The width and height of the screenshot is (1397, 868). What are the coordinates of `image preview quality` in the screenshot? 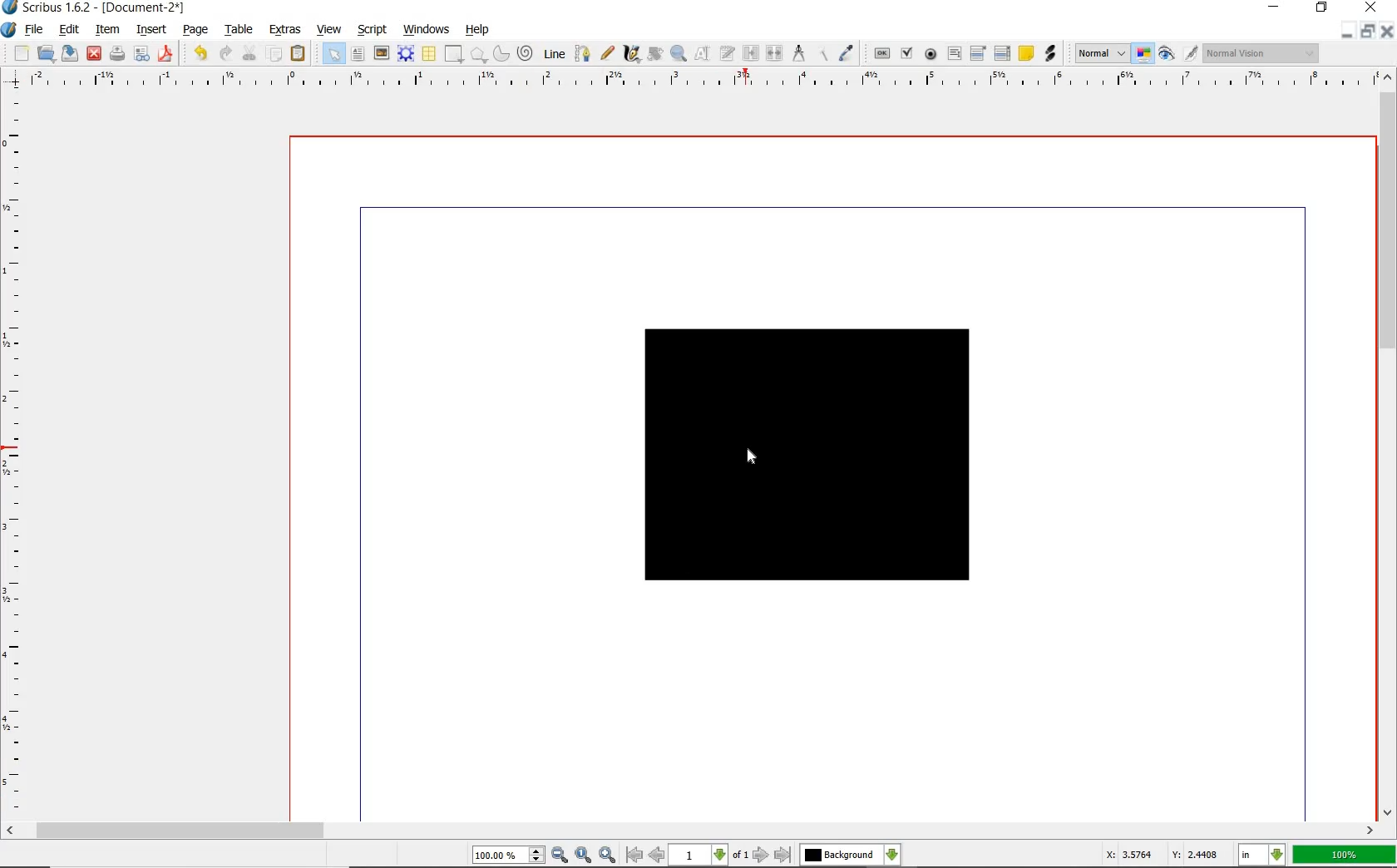 It's located at (1101, 54).